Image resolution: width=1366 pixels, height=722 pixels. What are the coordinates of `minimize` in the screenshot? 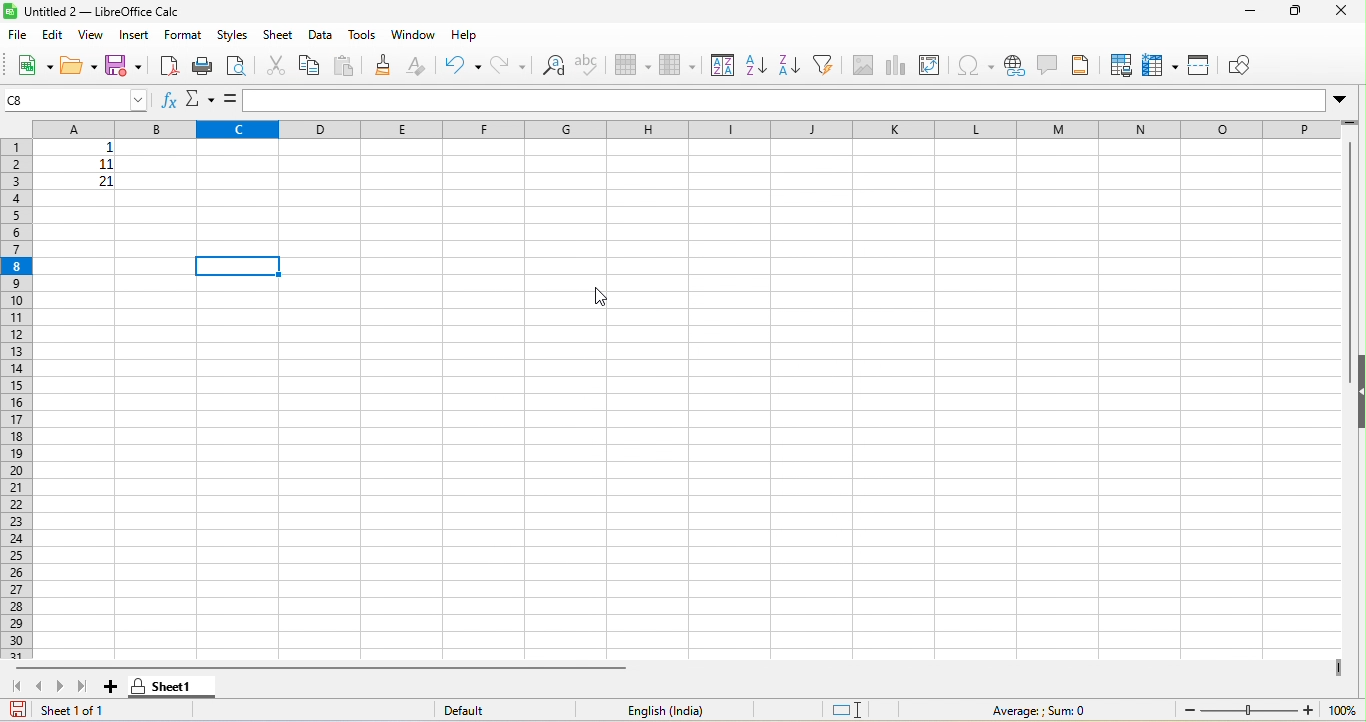 It's located at (1253, 12).